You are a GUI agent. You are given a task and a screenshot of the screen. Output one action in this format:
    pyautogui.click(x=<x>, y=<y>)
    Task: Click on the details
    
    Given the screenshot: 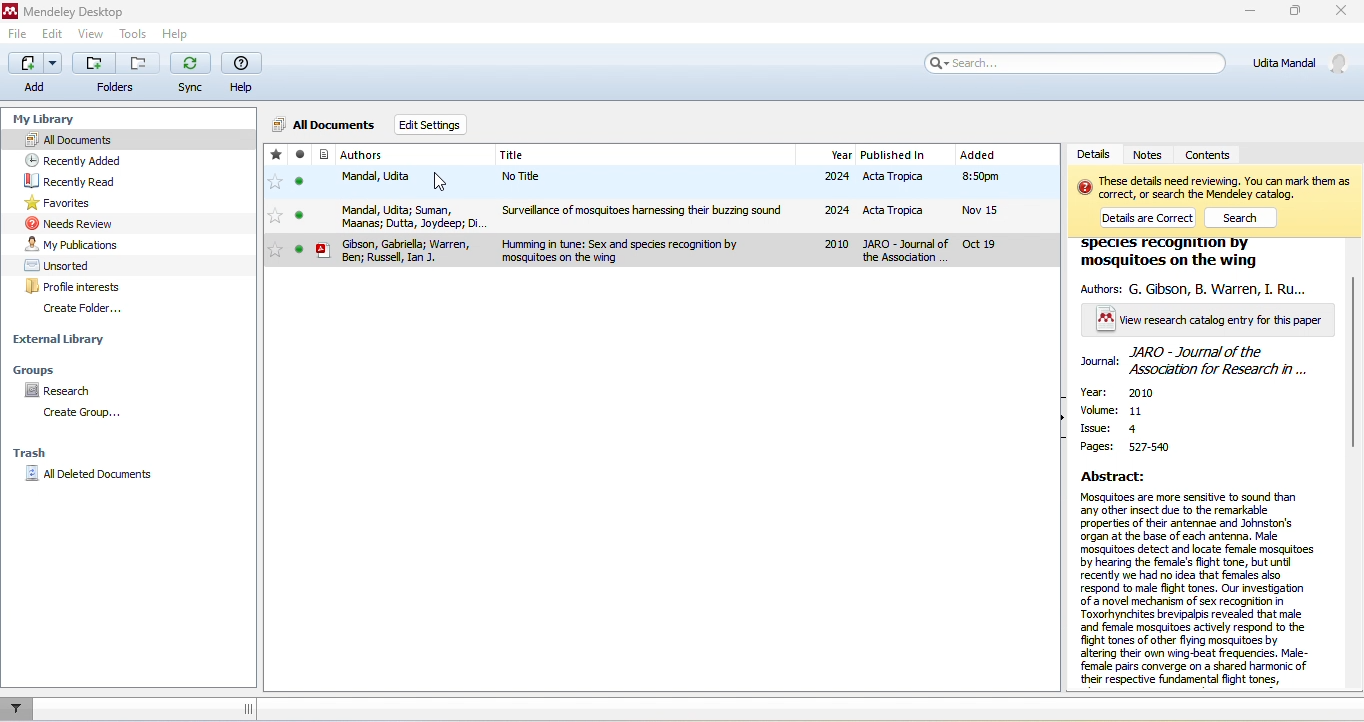 What is the action you would take?
    pyautogui.click(x=1092, y=153)
    